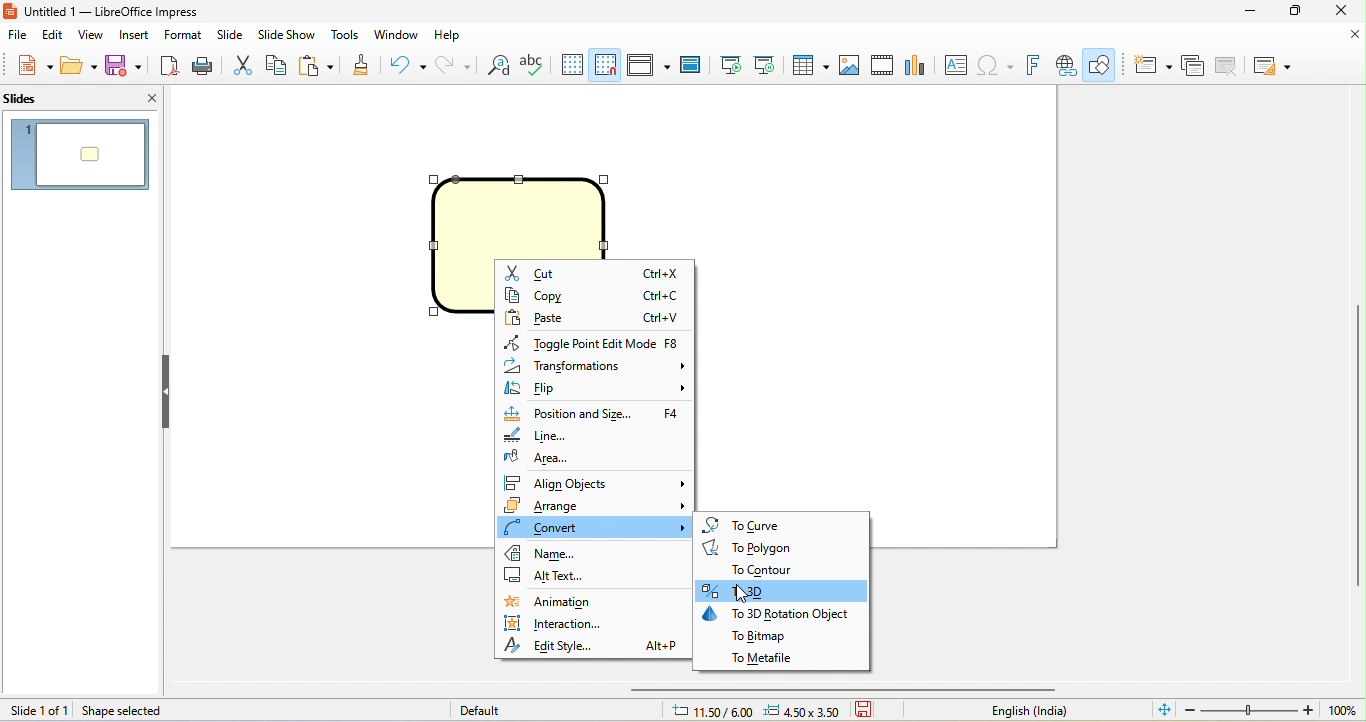  Describe the element at coordinates (783, 615) in the screenshot. I see `to 3d rotation object` at that location.